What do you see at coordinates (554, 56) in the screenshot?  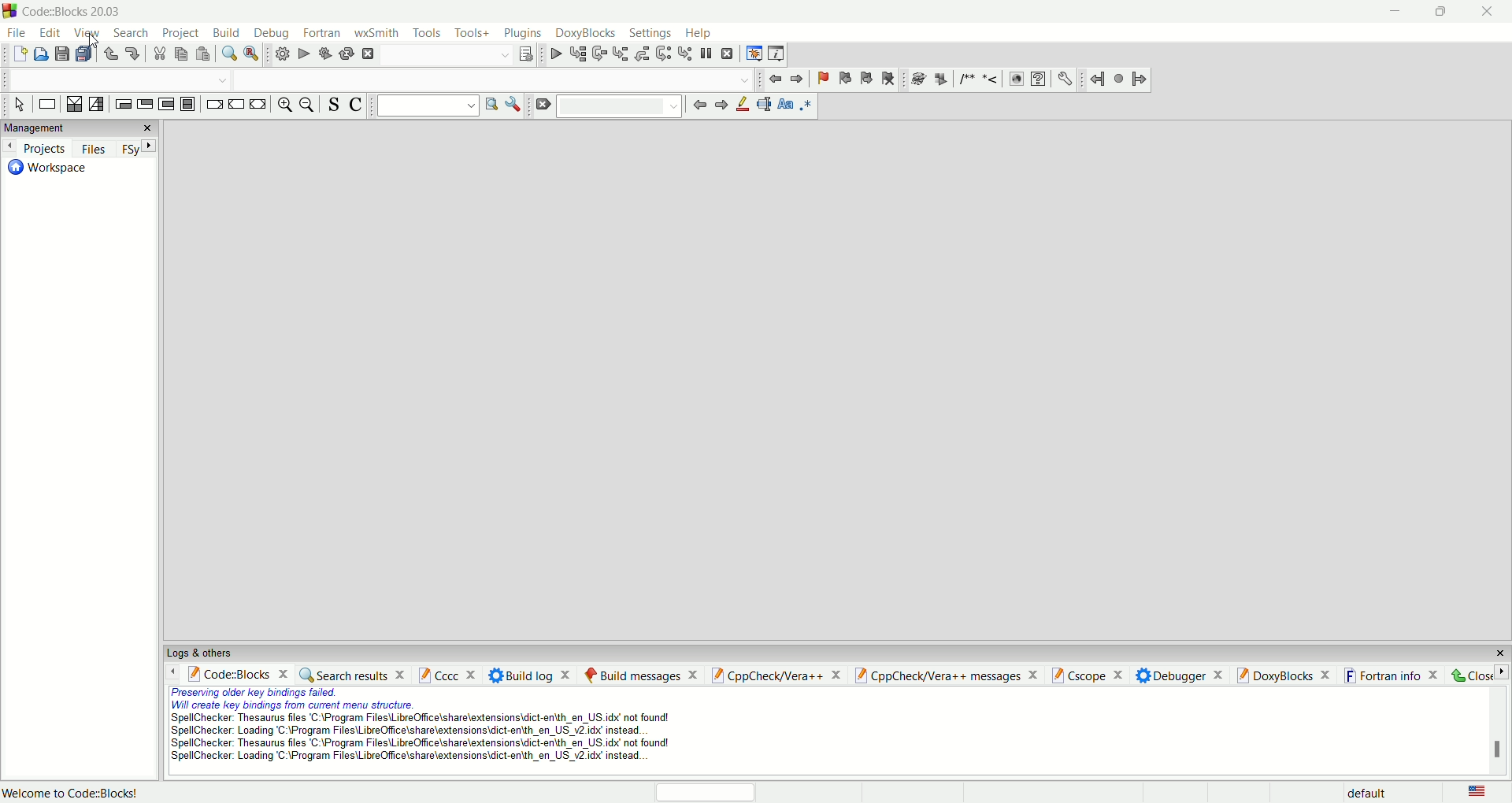 I see `debug` at bounding box center [554, 56].